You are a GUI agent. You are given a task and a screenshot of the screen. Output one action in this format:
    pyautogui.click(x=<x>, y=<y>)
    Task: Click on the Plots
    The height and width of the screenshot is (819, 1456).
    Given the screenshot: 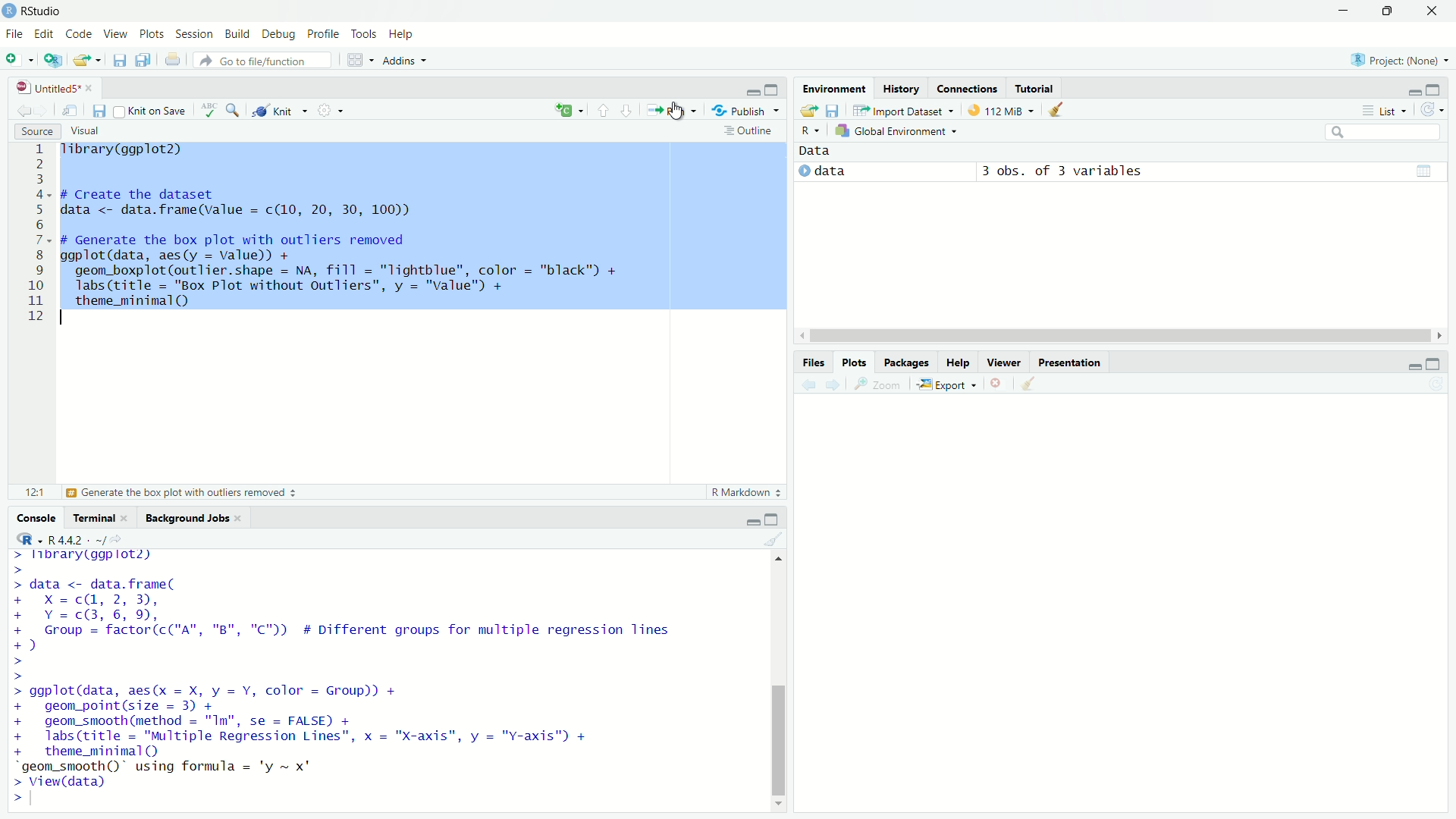 What is the action you would take?
    pyautogui.click(x=849, y=362)
    